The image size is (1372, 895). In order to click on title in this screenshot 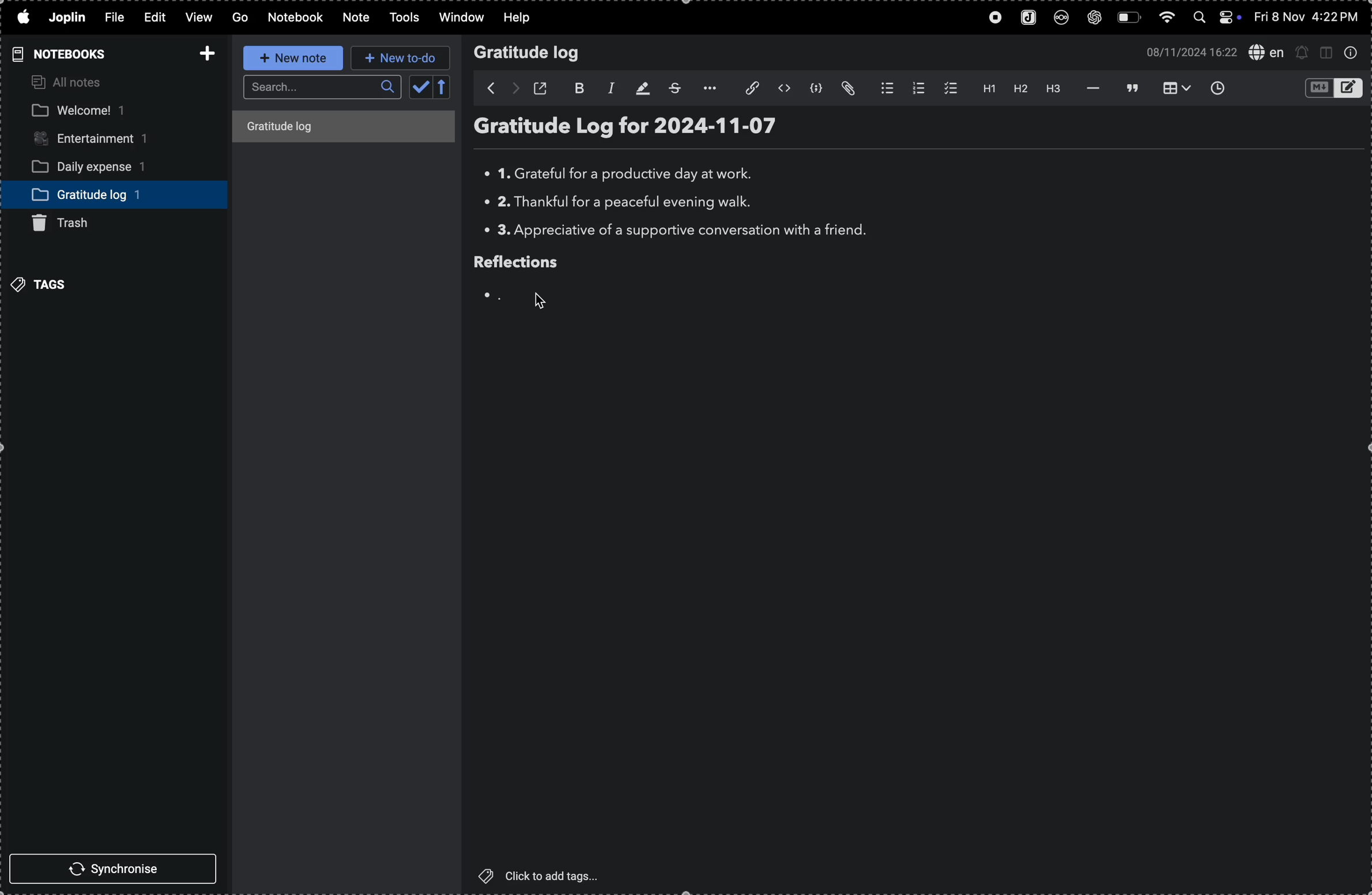, I will do `click(554, 130)`.